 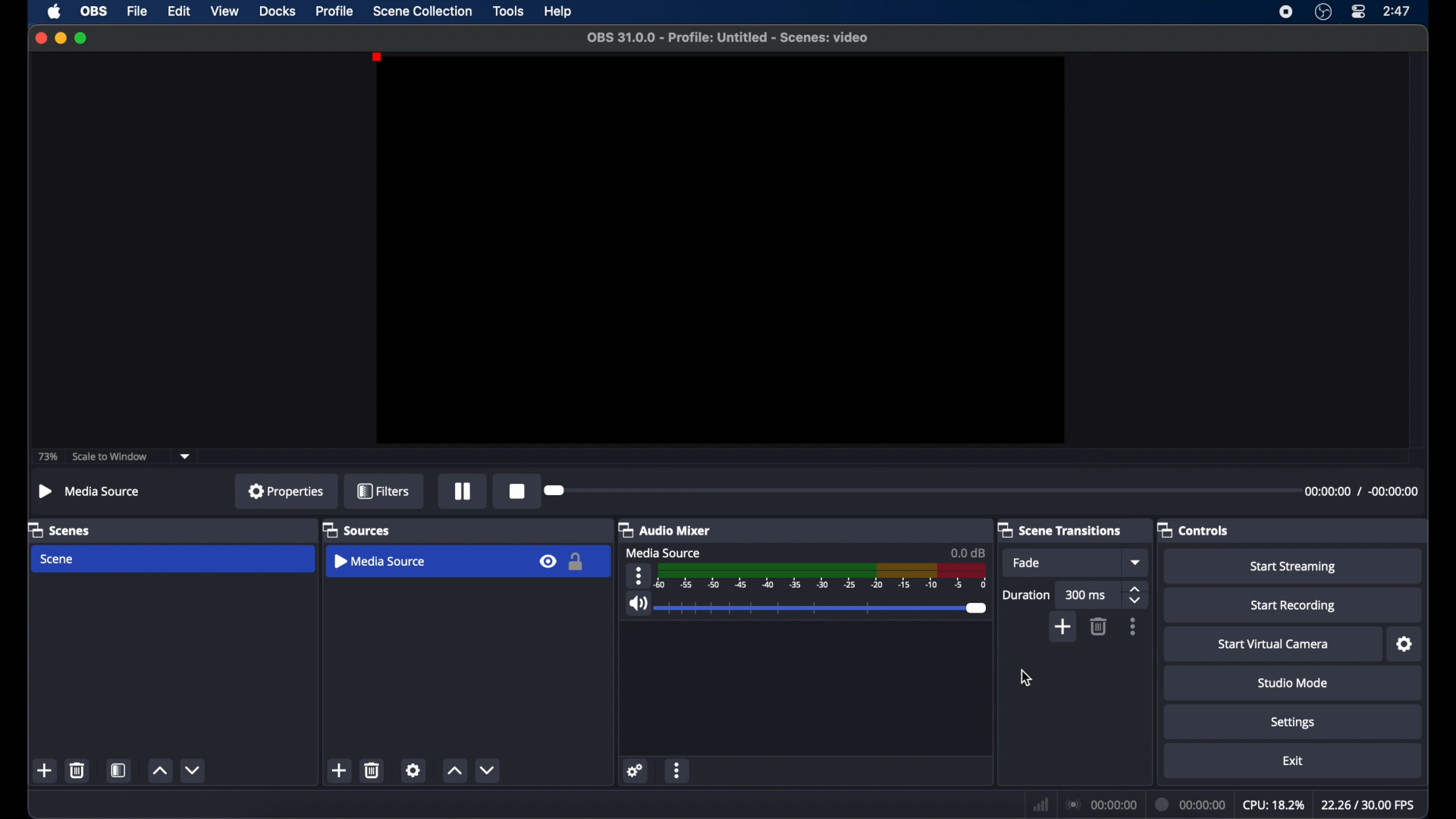 What do you see at coordinates (179, 11) in the screenshot?
I see `edit` at bounding box center [179, 11].